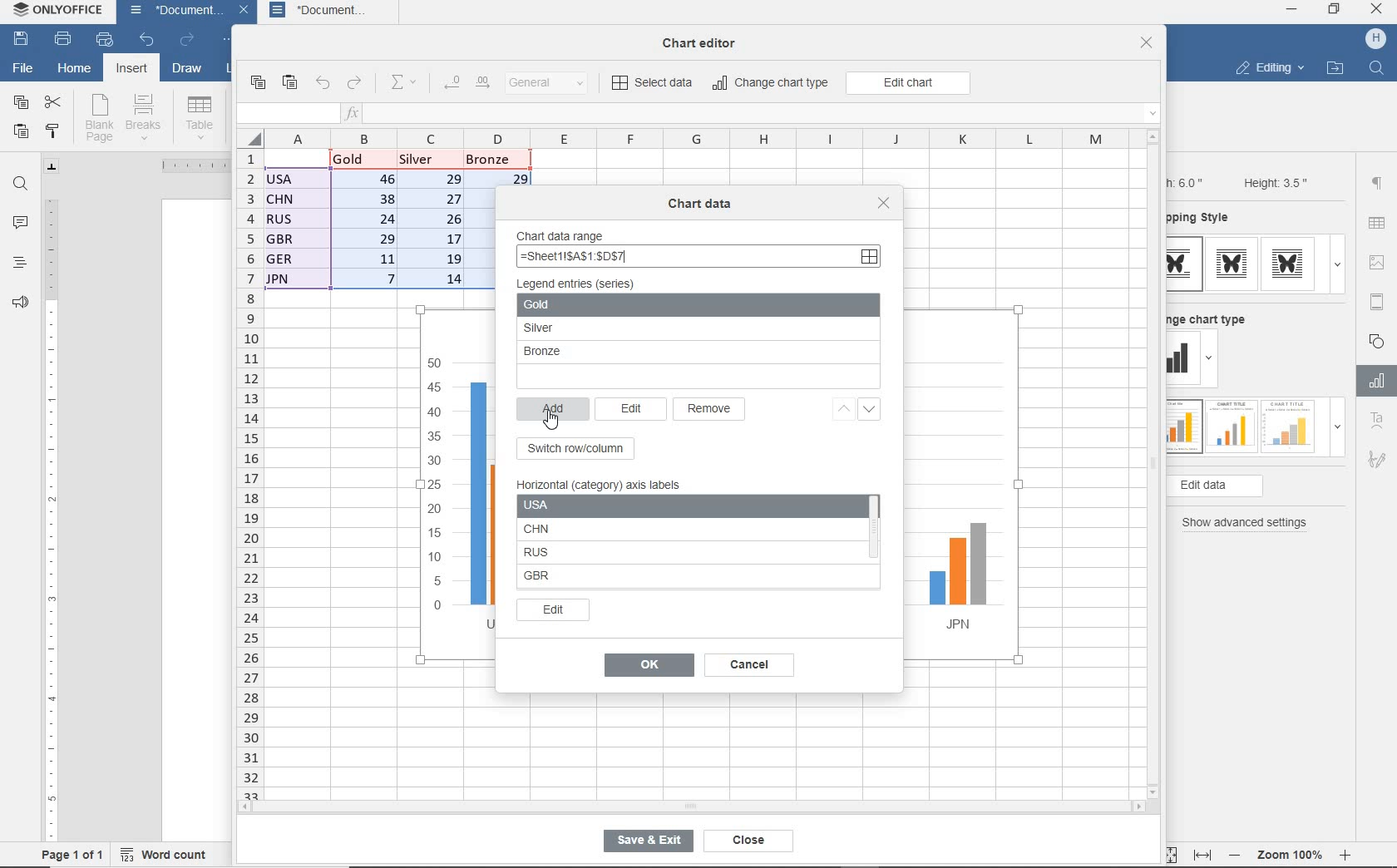  I want to click on undo, so click(146, 41).